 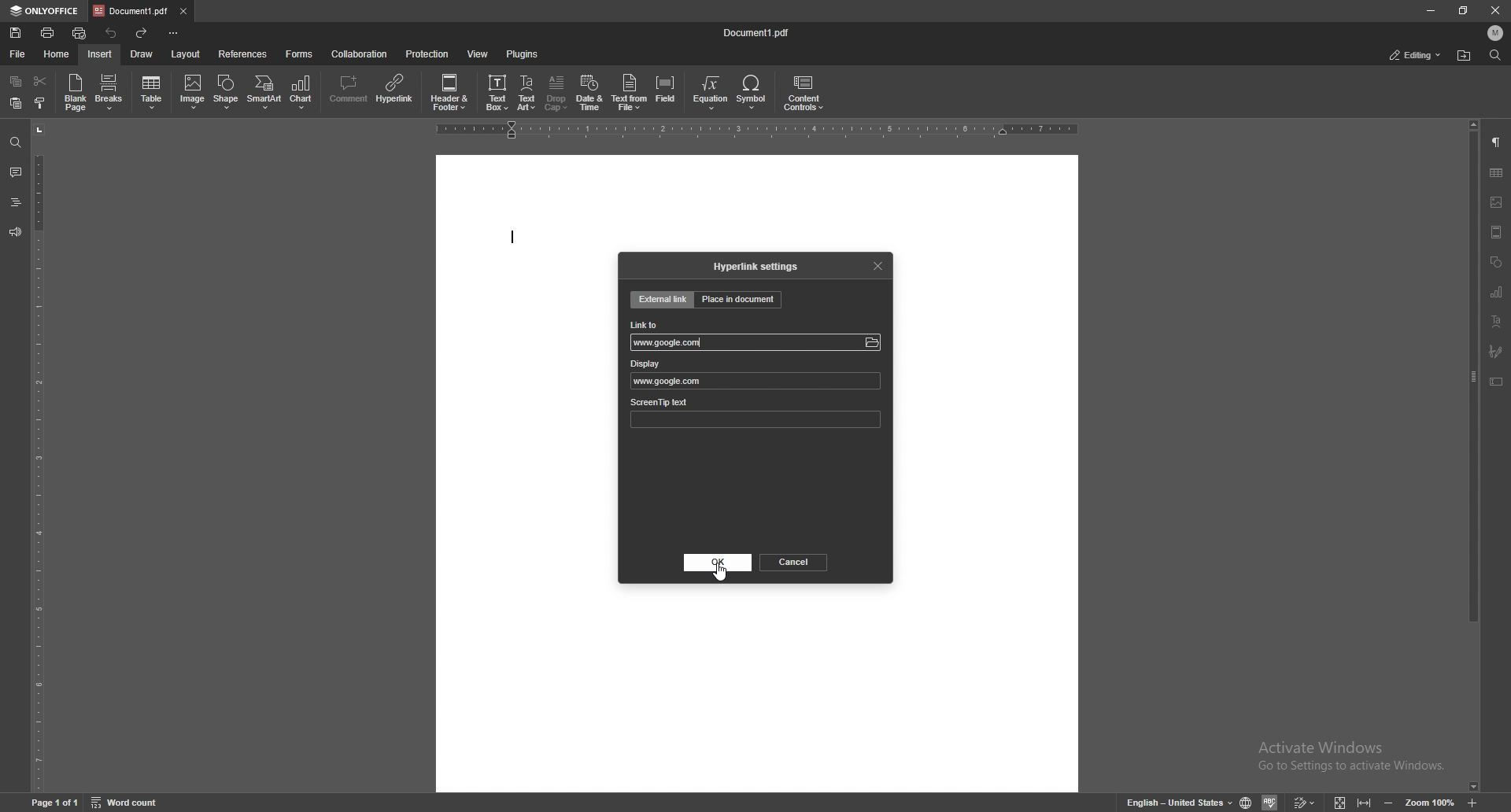 I want to click on www.google.com, so click(x=672, y=381).